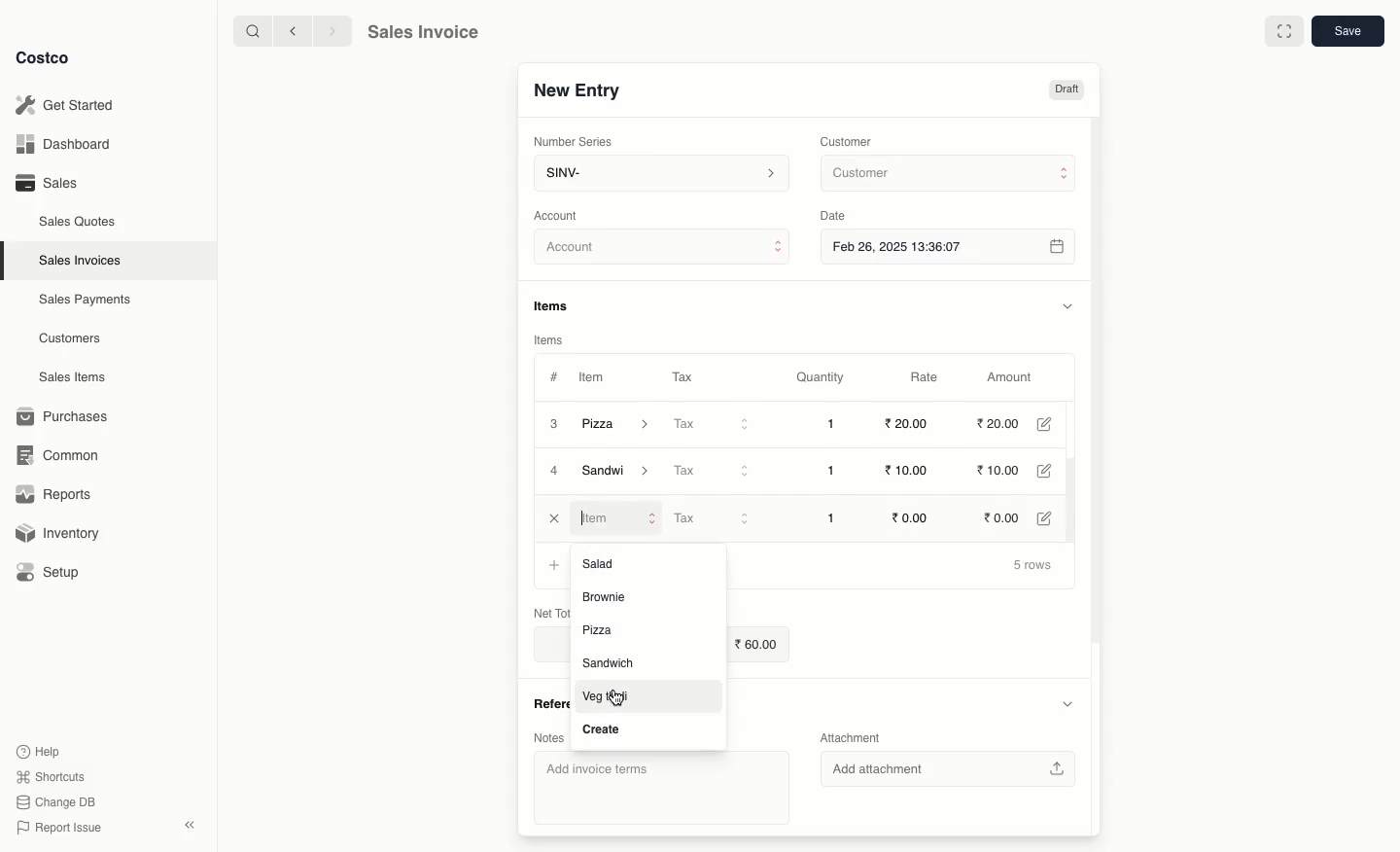 Image resolution: width=1400 pixels, height=852 pixels. What do you see at coordinates (954, 770) in the screenshot?
I see `‘Add attachment` at bounding box center [954, 770].